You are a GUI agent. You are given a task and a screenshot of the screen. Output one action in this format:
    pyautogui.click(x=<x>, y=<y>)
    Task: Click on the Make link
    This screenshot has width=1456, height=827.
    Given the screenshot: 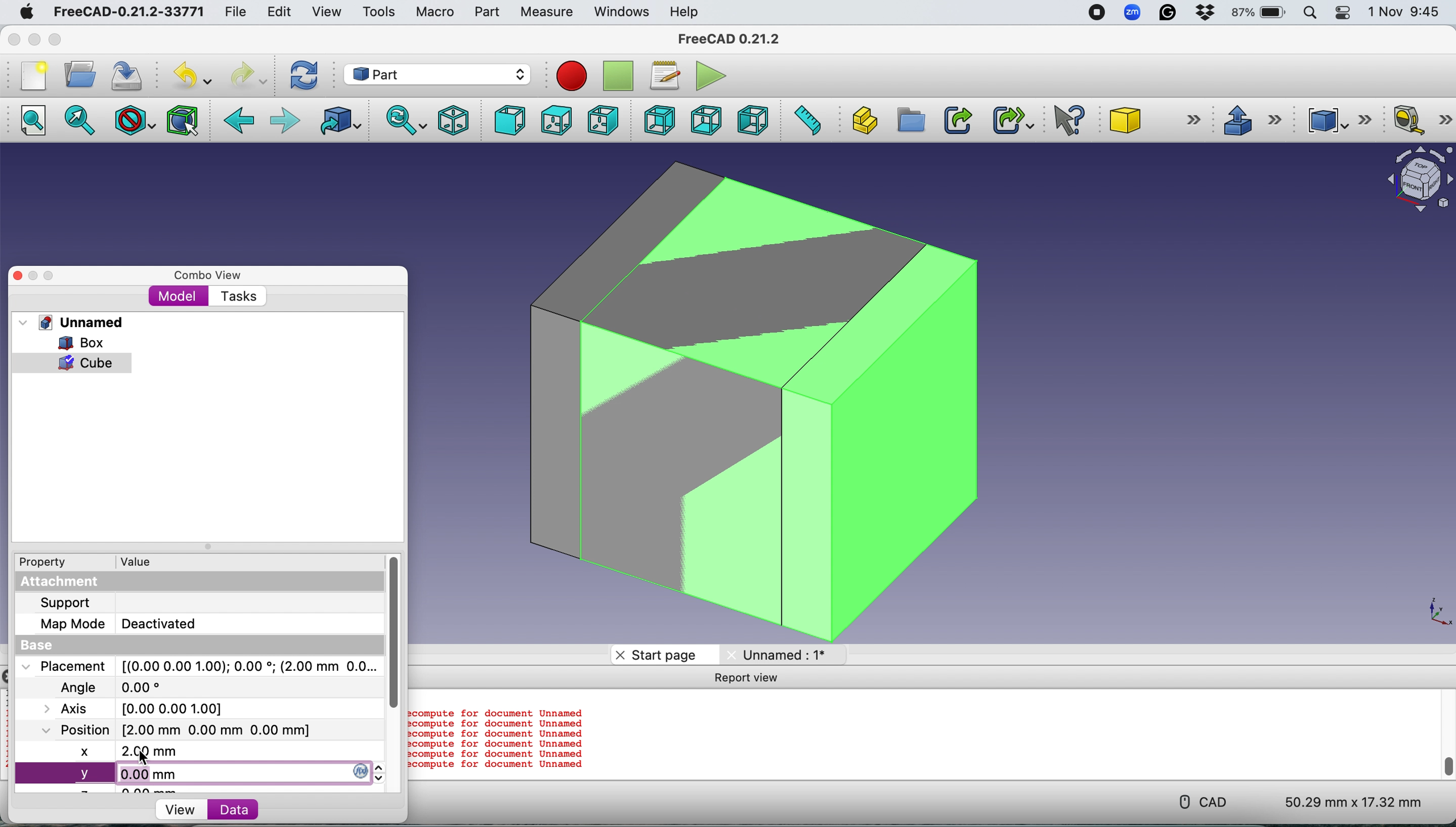 What is the action you would take?
    pyautogui.click(x=958, y=120)
    